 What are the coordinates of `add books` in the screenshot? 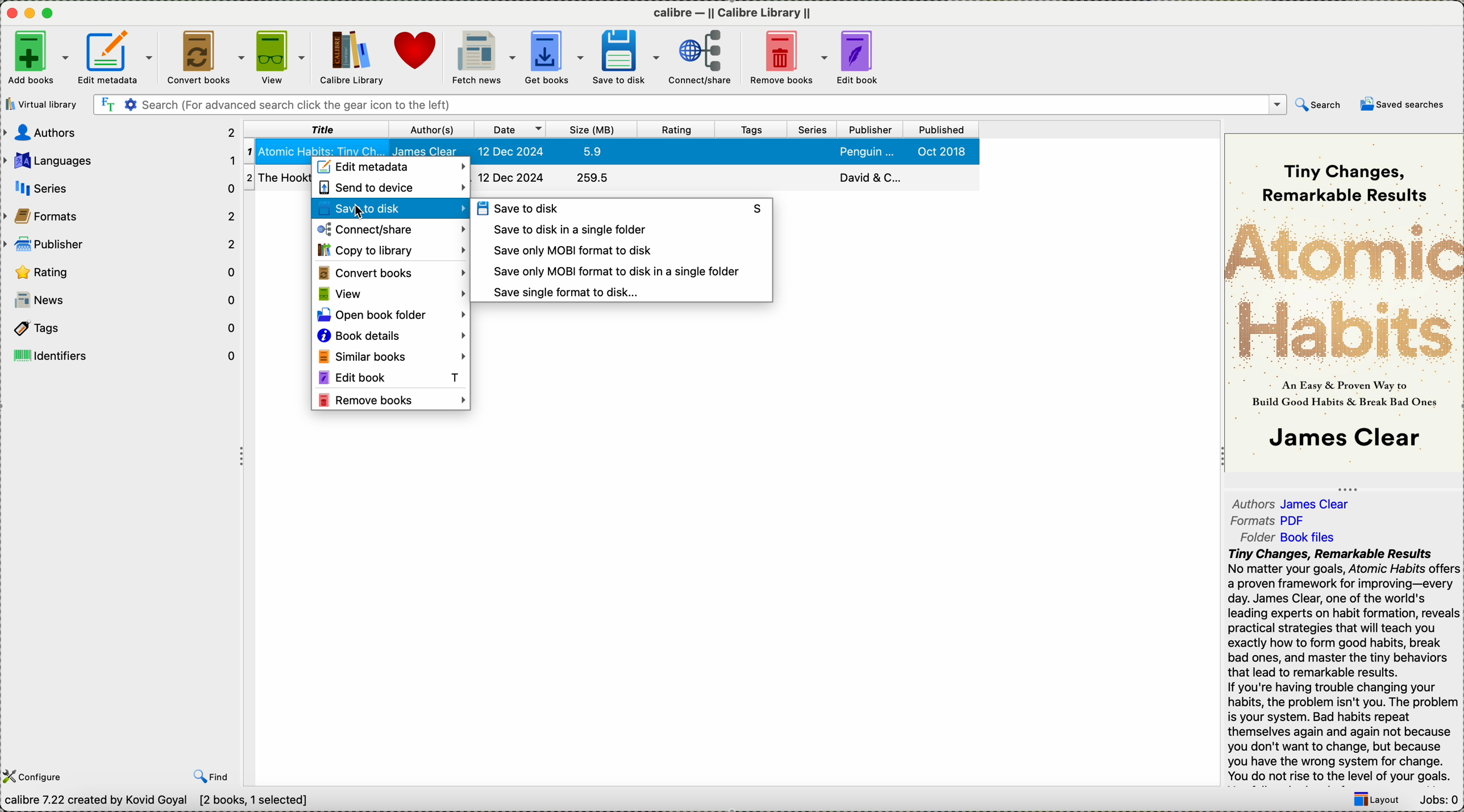 It's located at (38, 58).